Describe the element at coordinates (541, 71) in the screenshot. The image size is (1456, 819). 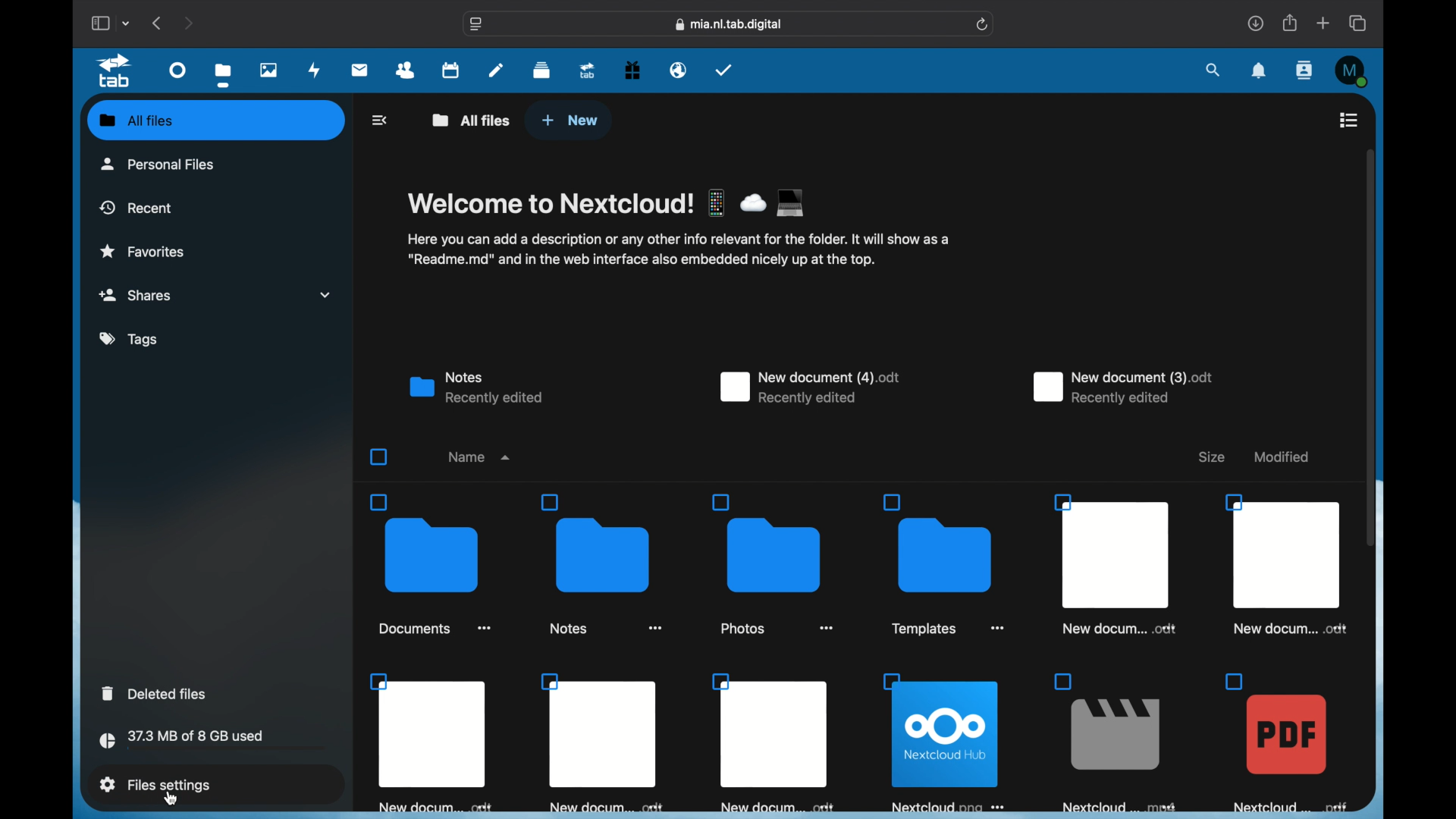
I see `deck` at that location.